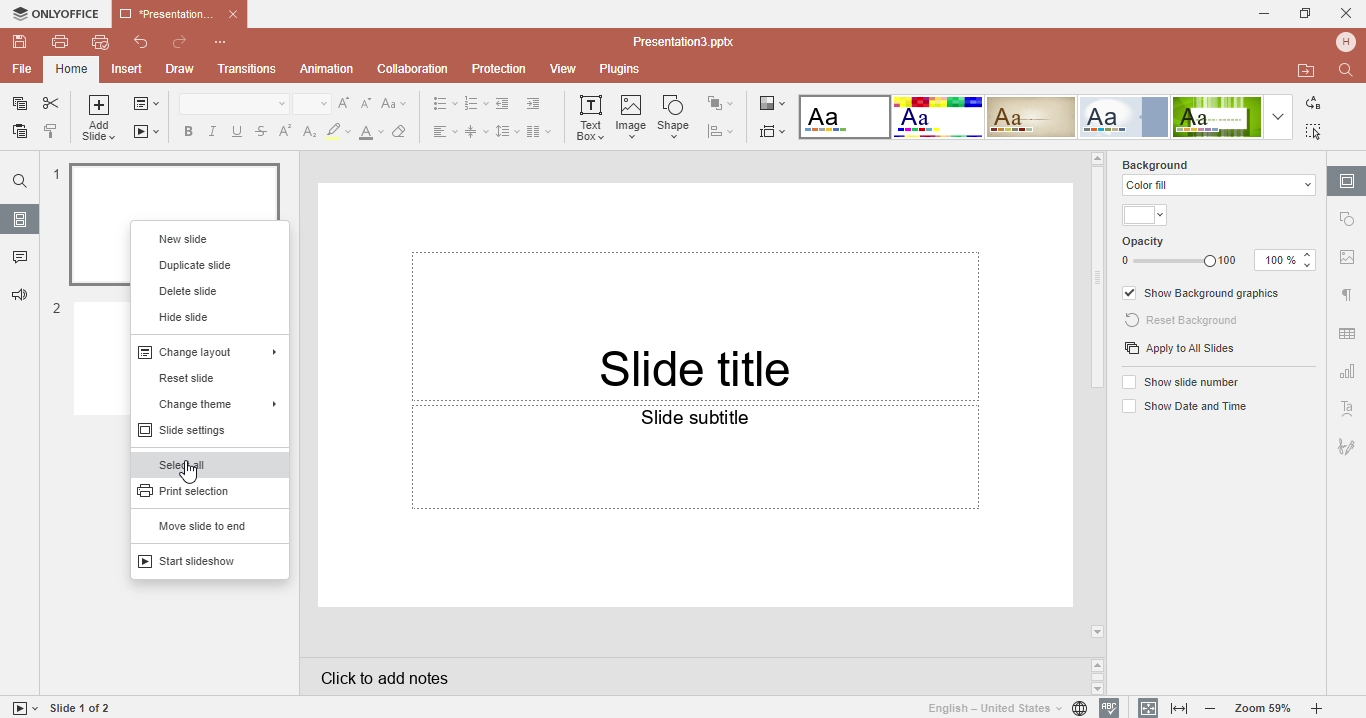  I want to click on Start slide show, so click(198, 561).